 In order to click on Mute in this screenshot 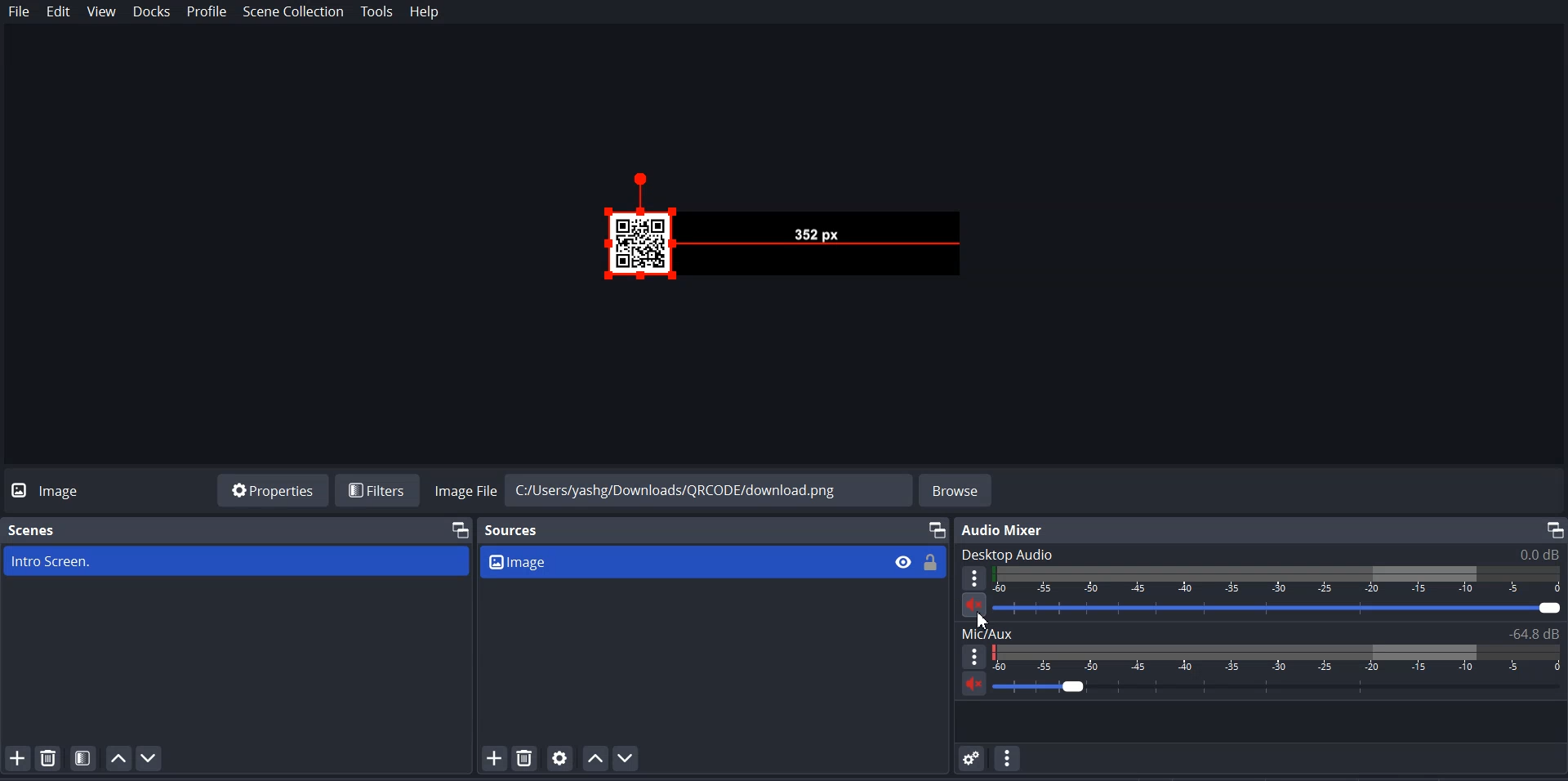, I will do `click(975, 683)`.